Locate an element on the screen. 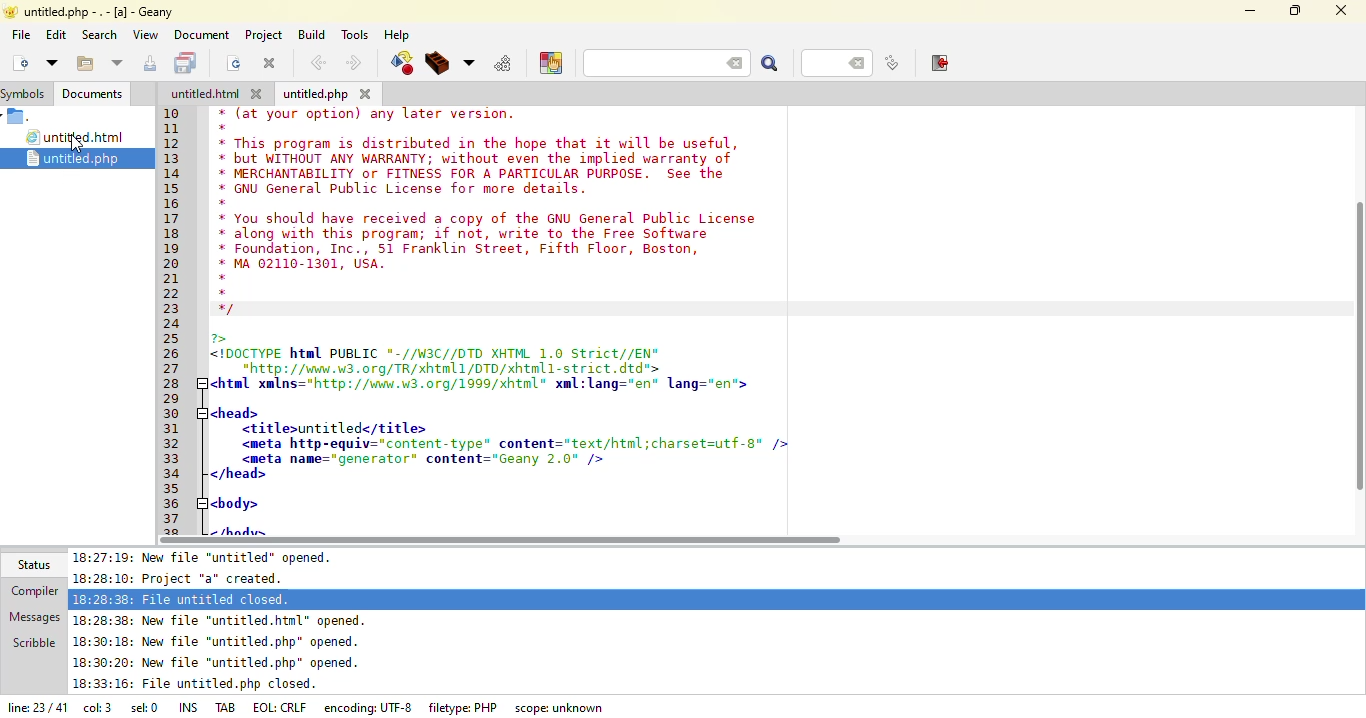 This screenshot has height=718, width=1366. choose more is located at coordinates (471, 61).